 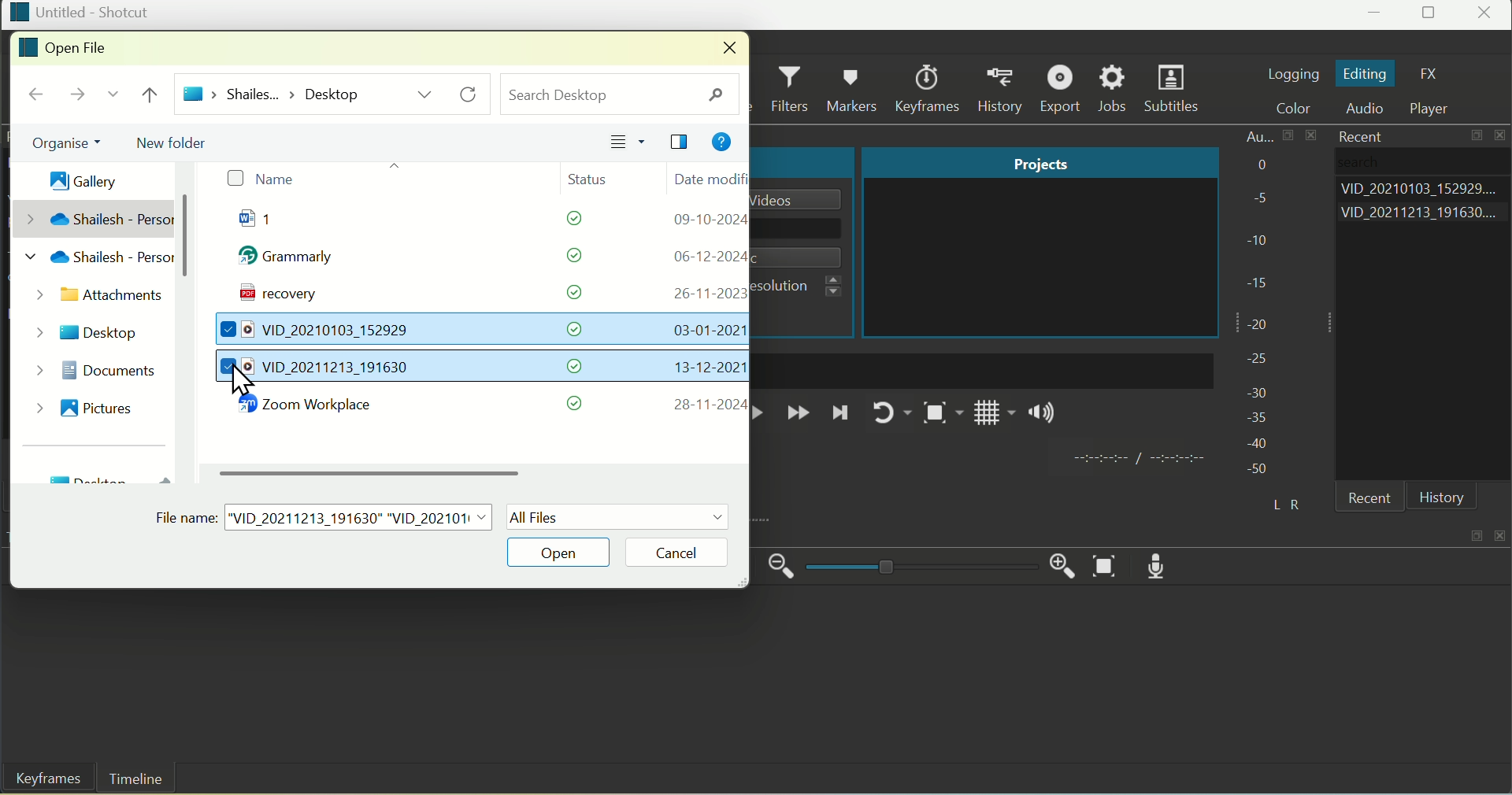 What do you see at coordinates (1442, 497) in the screenshot?
I see `History` at bounding box center [1442, 497].